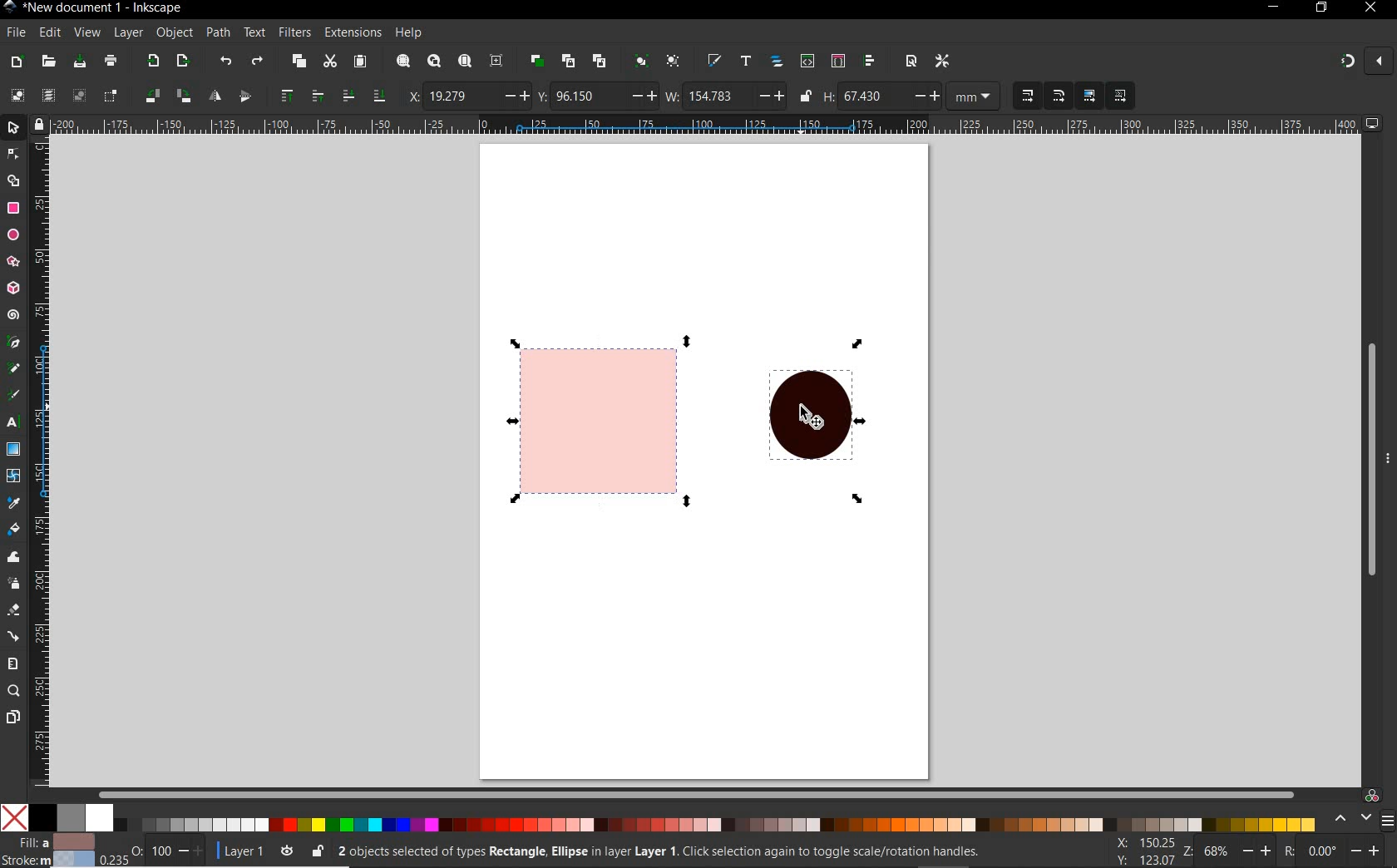 The image size is (1397, 868). What do you see at coordinates (1118, 96) in the screenshot?
I see `move pattern` at bounding box center [1118, 96].